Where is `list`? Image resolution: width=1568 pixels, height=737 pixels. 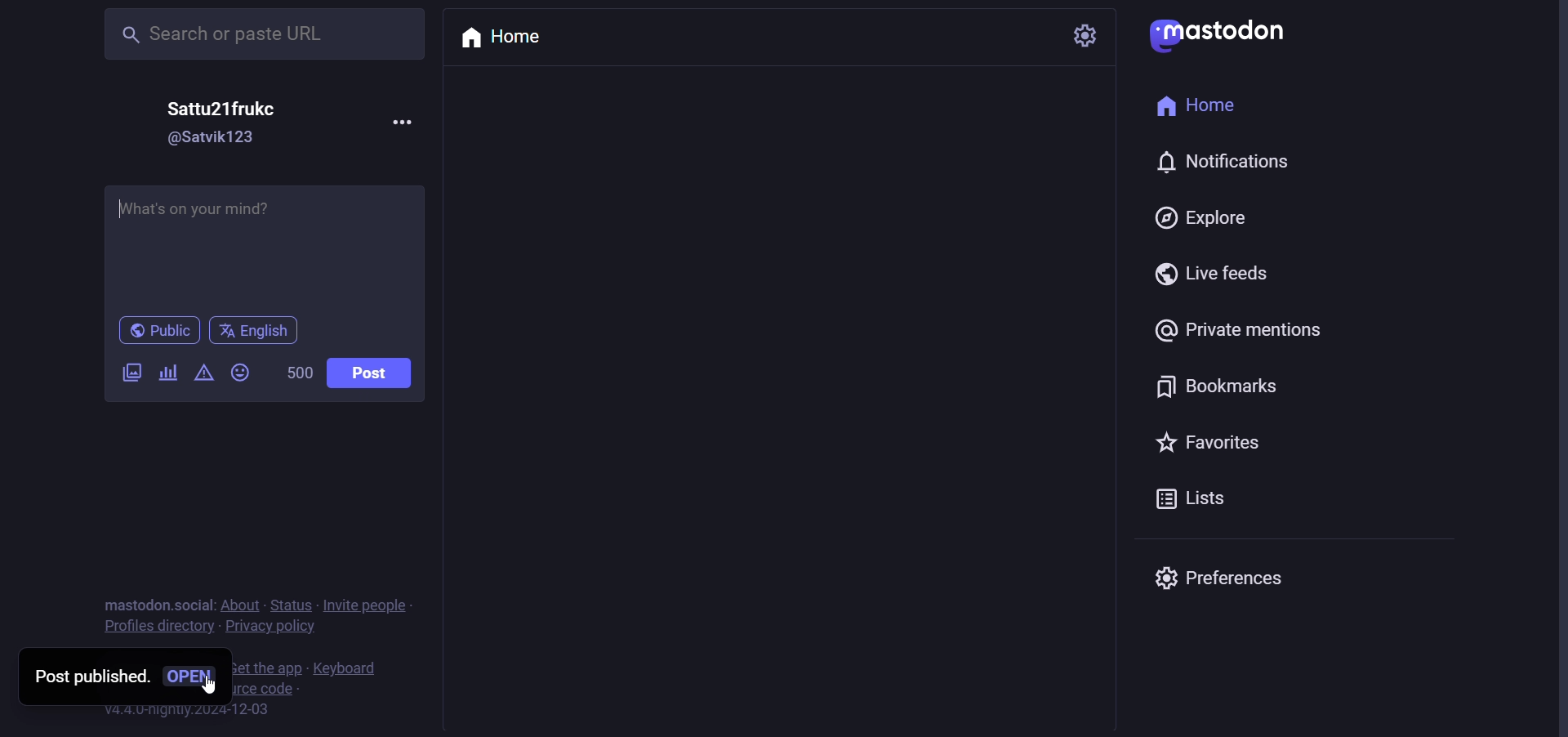
list is located at coordinates (1199, 498).